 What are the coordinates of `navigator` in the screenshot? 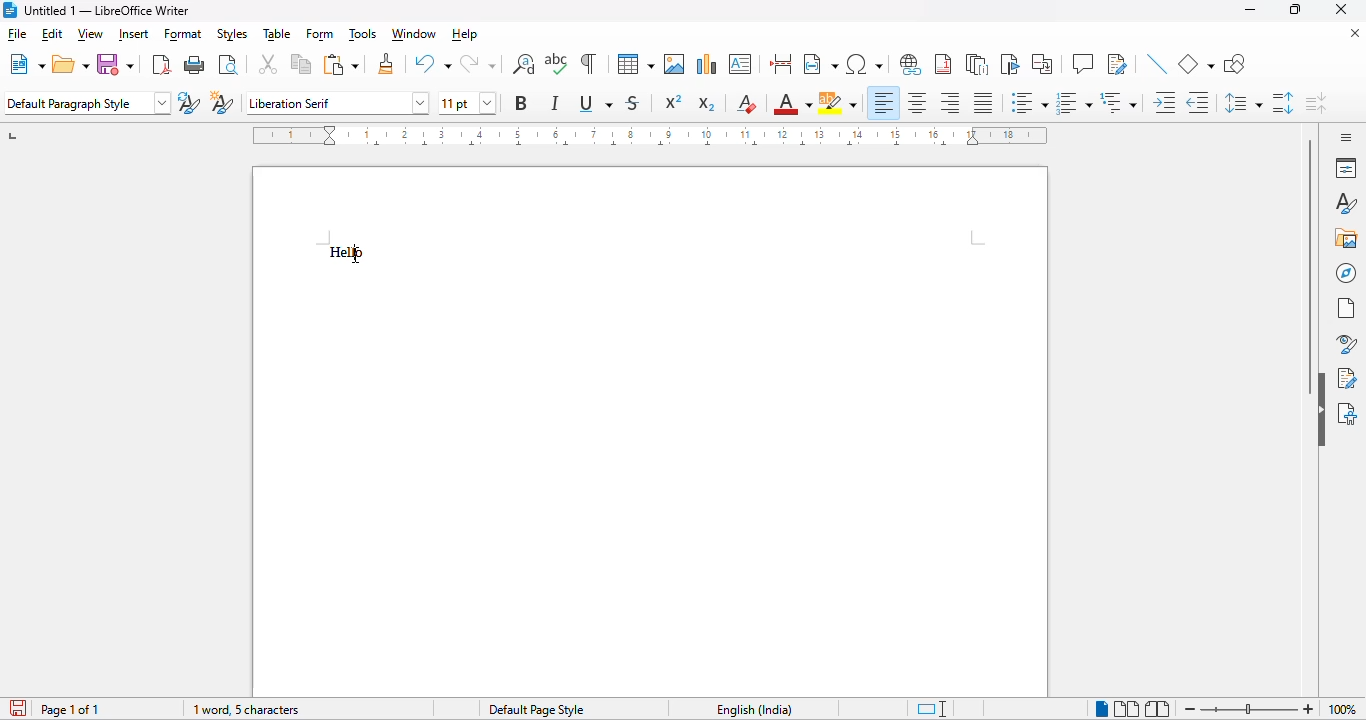 It's located at (1346, 273).